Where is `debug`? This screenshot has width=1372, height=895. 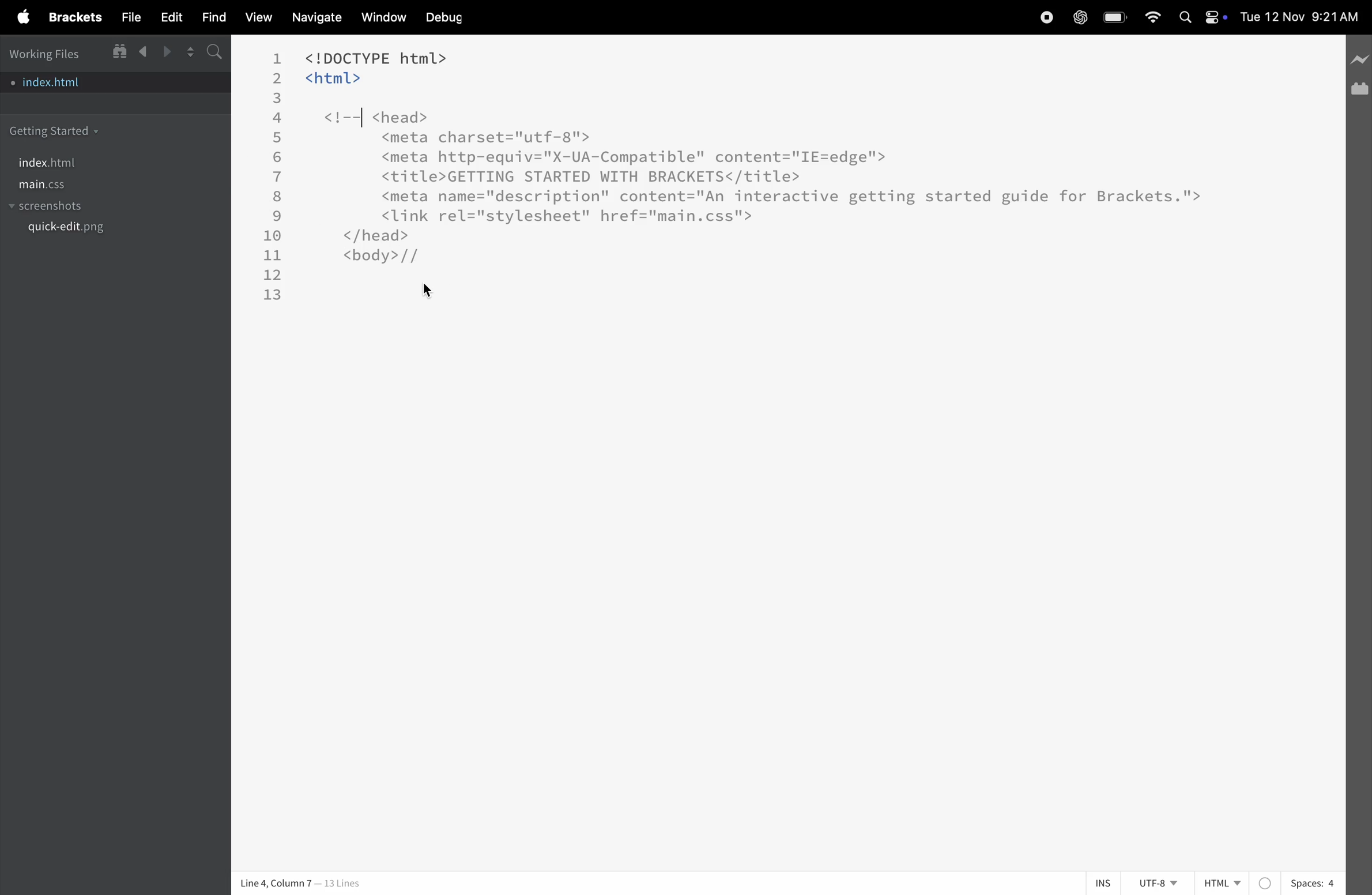
debug is located at coordinates (451, 16).